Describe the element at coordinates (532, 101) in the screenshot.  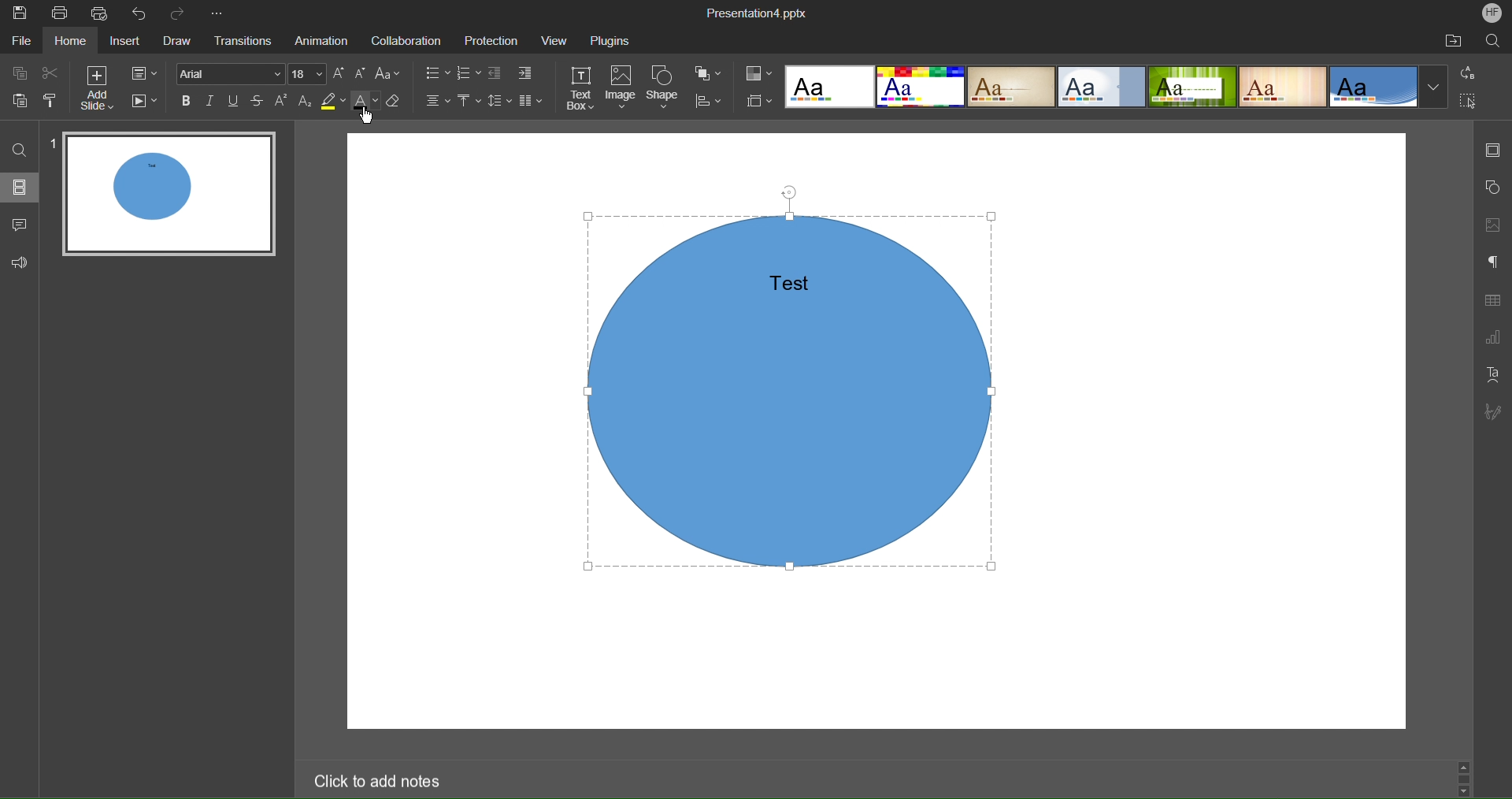
I see `Columns` at that location.